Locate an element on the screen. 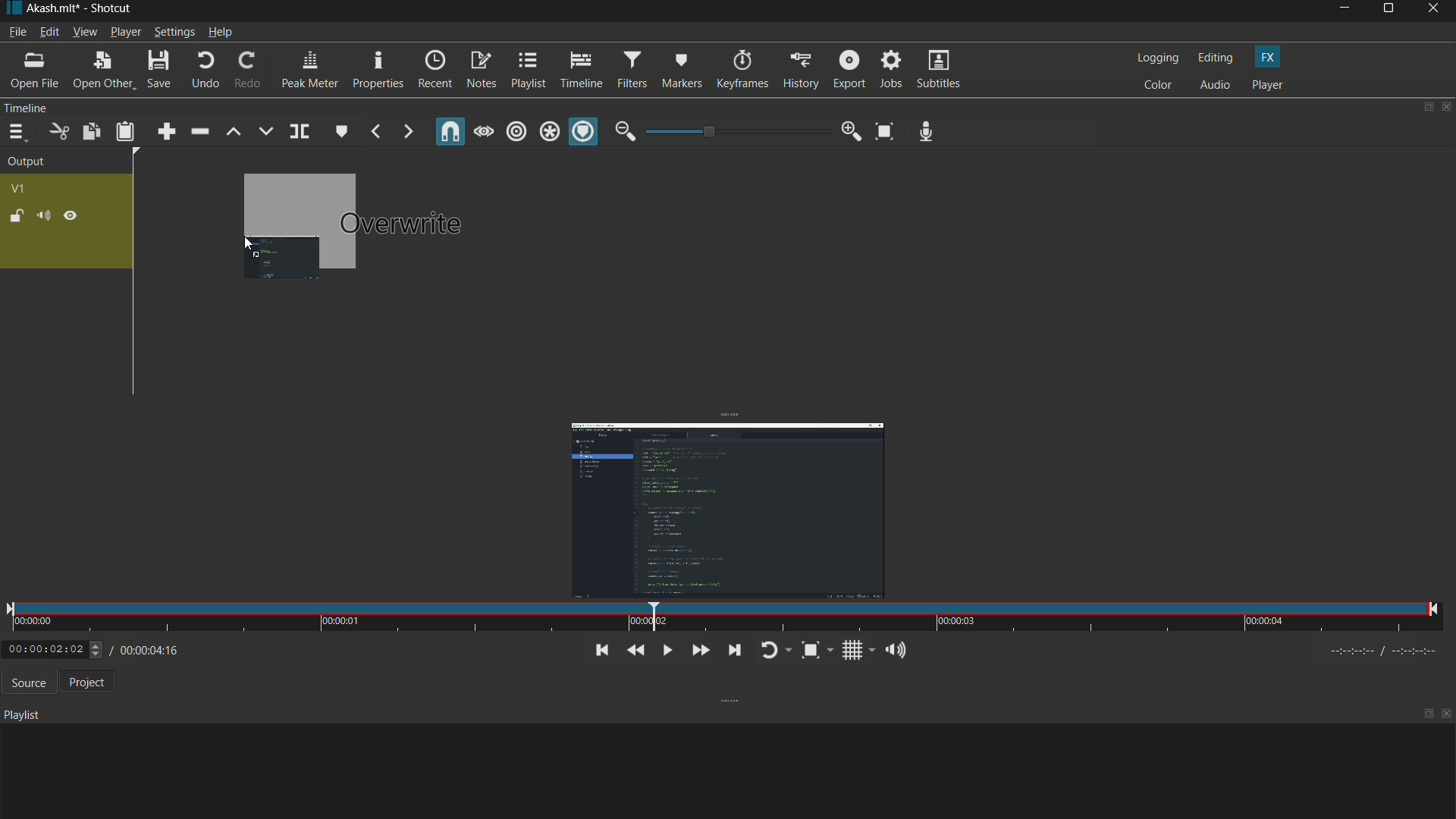 The height and width of the screenshot is (819, 1456). notes is located at coordinates (482, 71).